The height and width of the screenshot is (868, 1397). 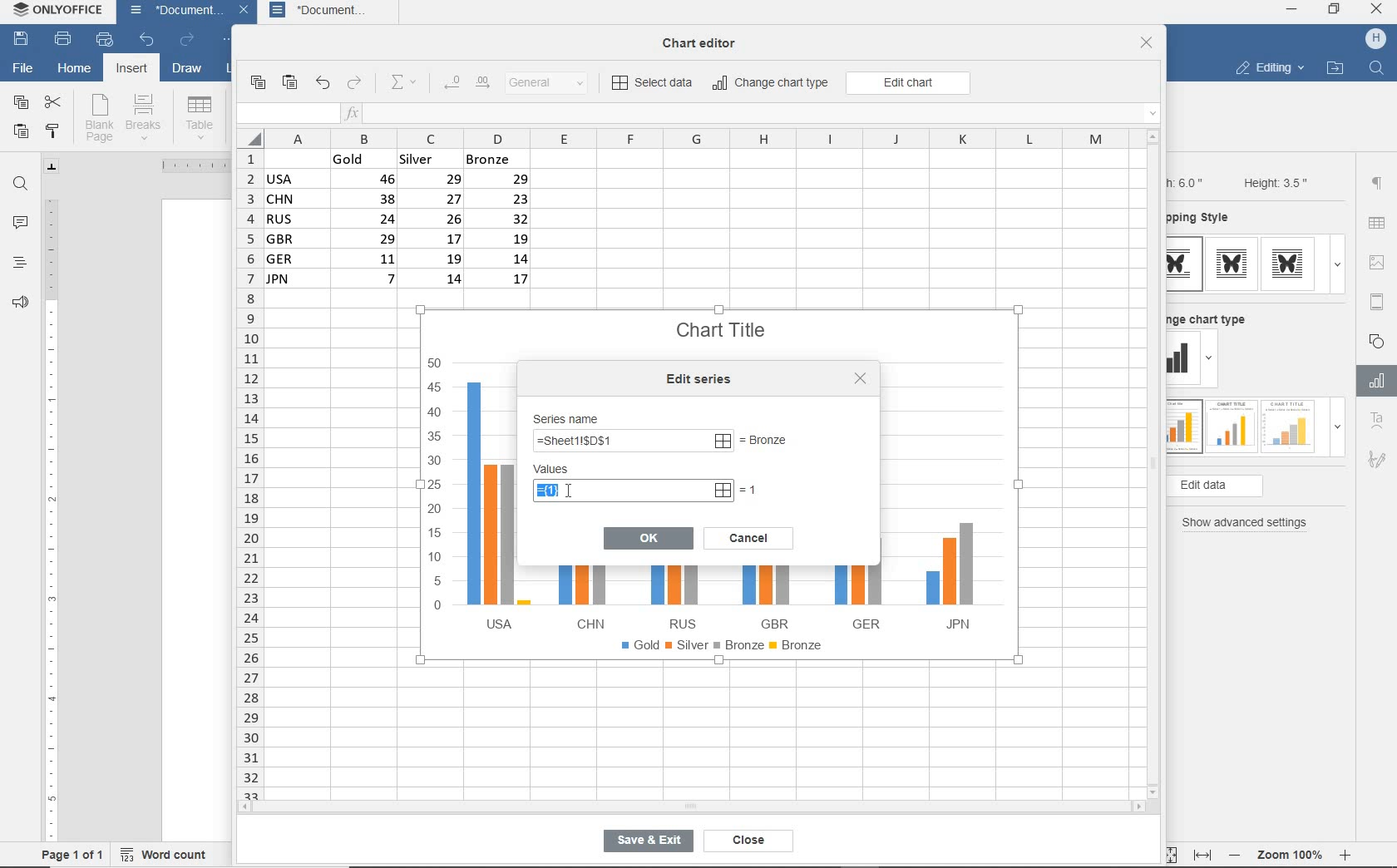 What do you see at coordinates (1292, 9) in the screenshot?
I see `minimize` at bounding box center [1292, 9].